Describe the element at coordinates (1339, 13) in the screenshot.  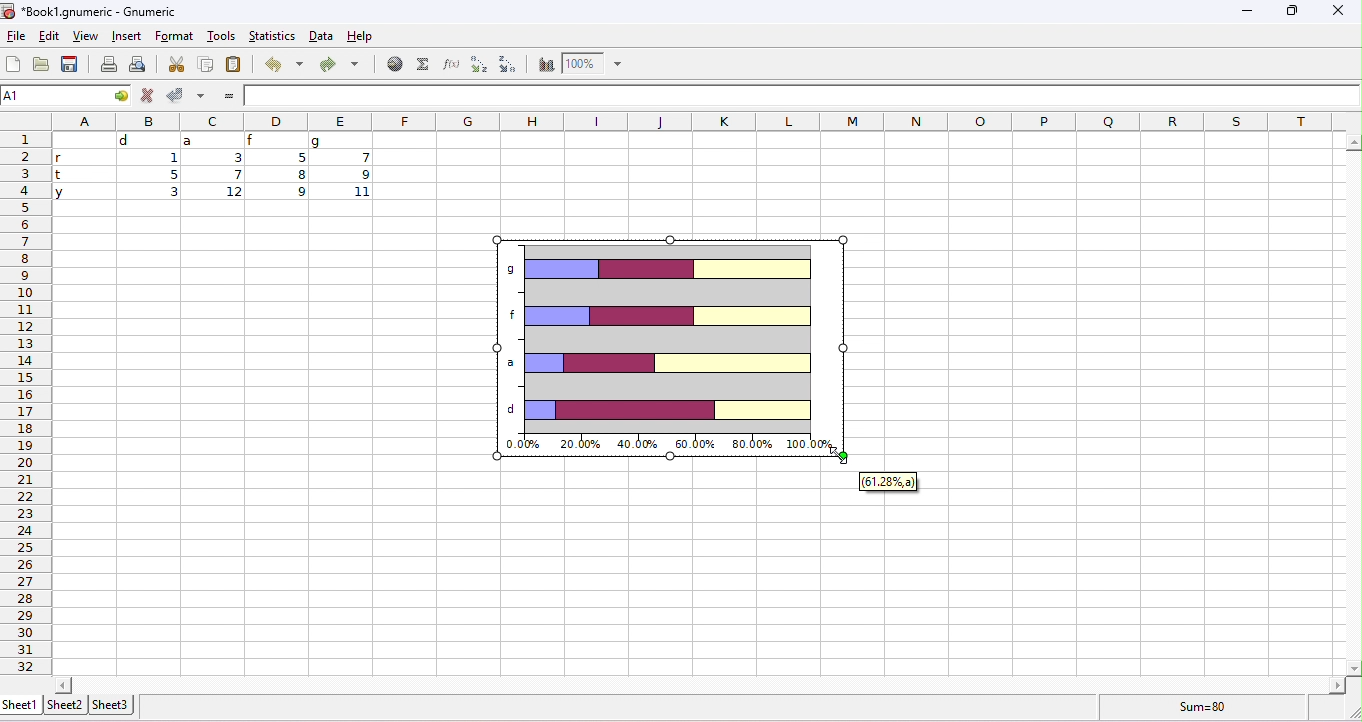
I see `close` at that location.